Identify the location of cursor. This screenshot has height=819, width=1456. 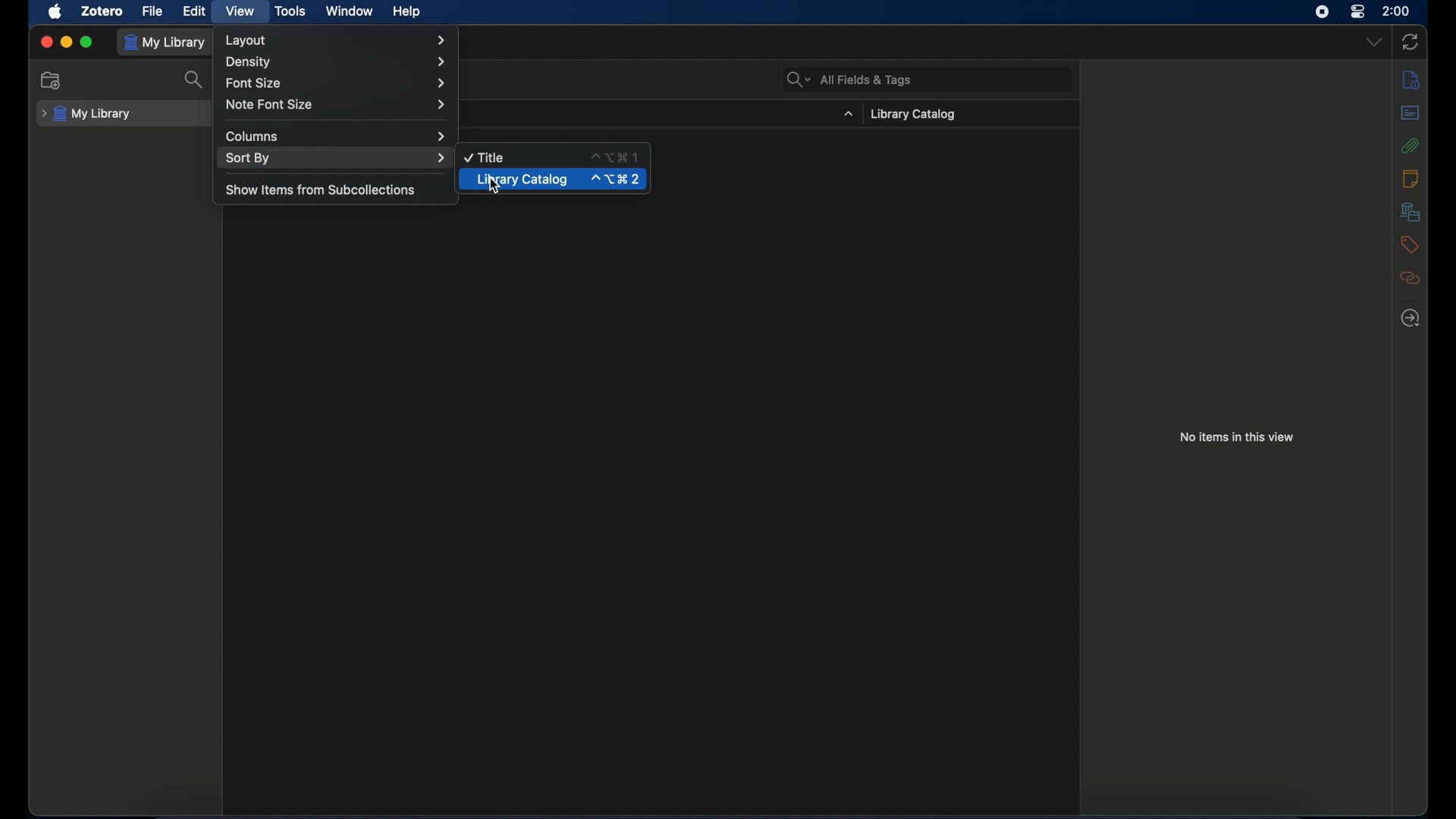
(496, 187).